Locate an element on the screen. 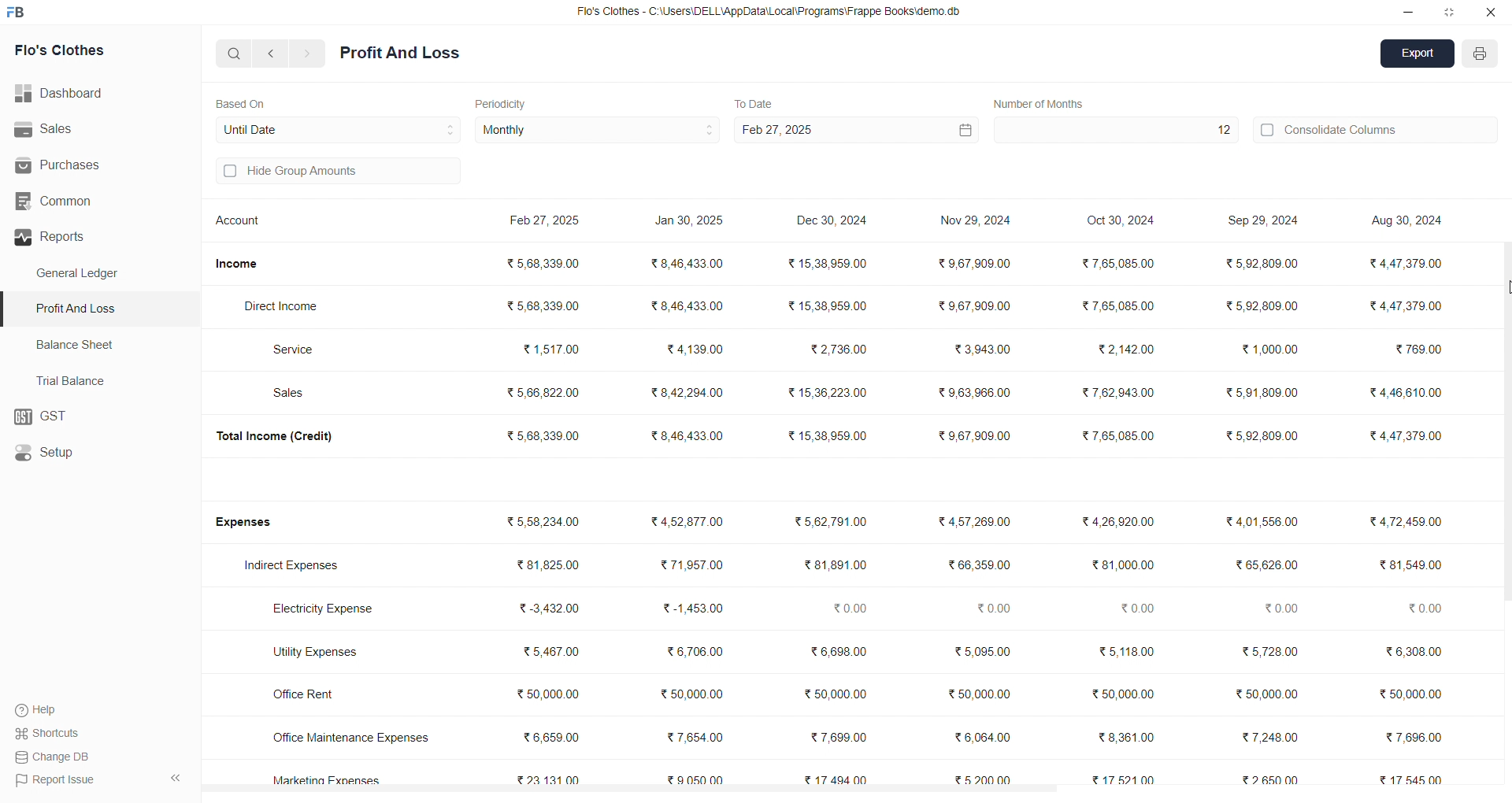 The image size is (1512, 803). ₹7,65,085.00 is located at coordinates (1121, 263).